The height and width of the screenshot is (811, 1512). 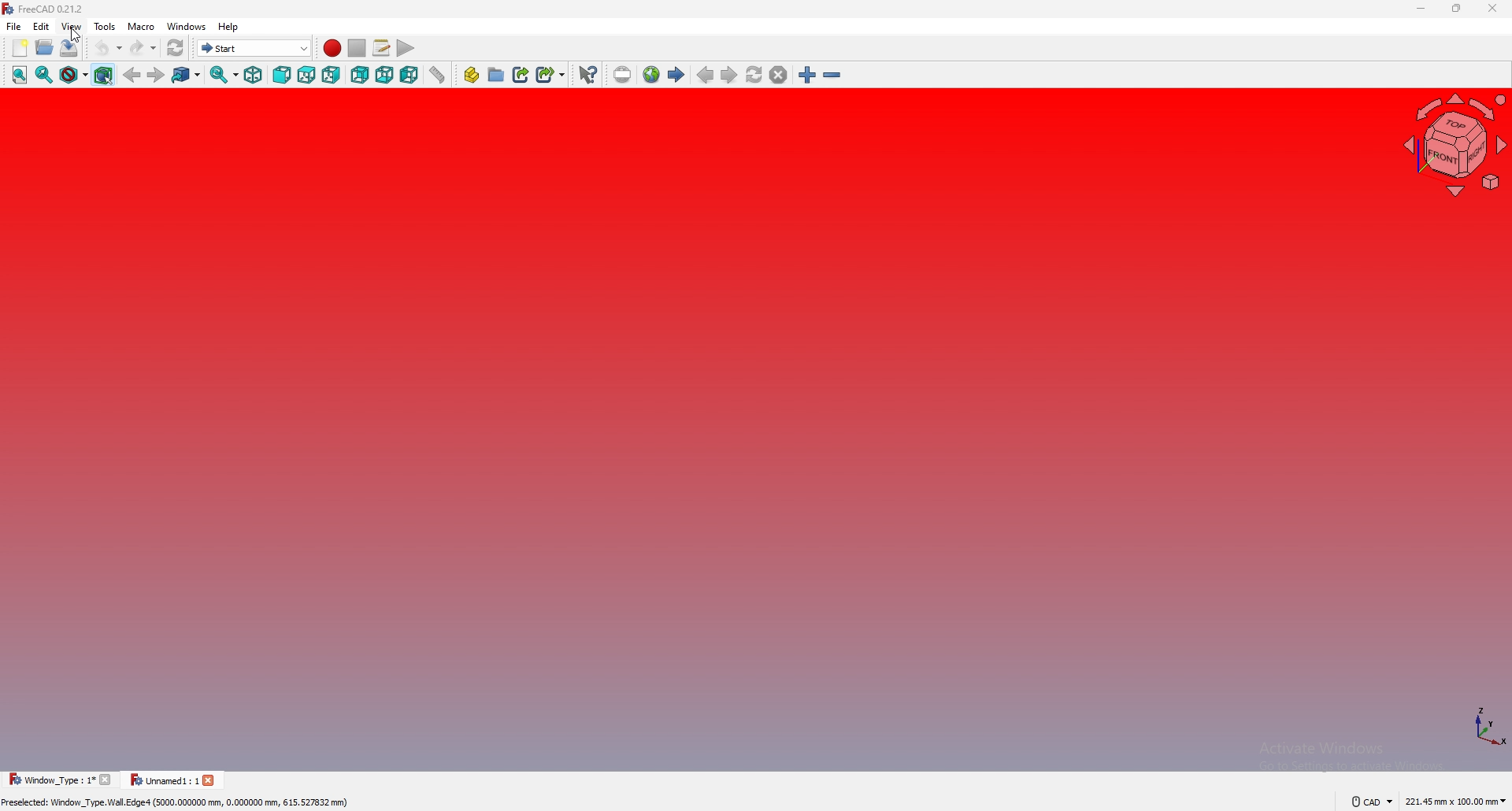 What do you see at coordinates (224, 74) in the screenshot?
I see `synced view` at bounding box center [224, 74].